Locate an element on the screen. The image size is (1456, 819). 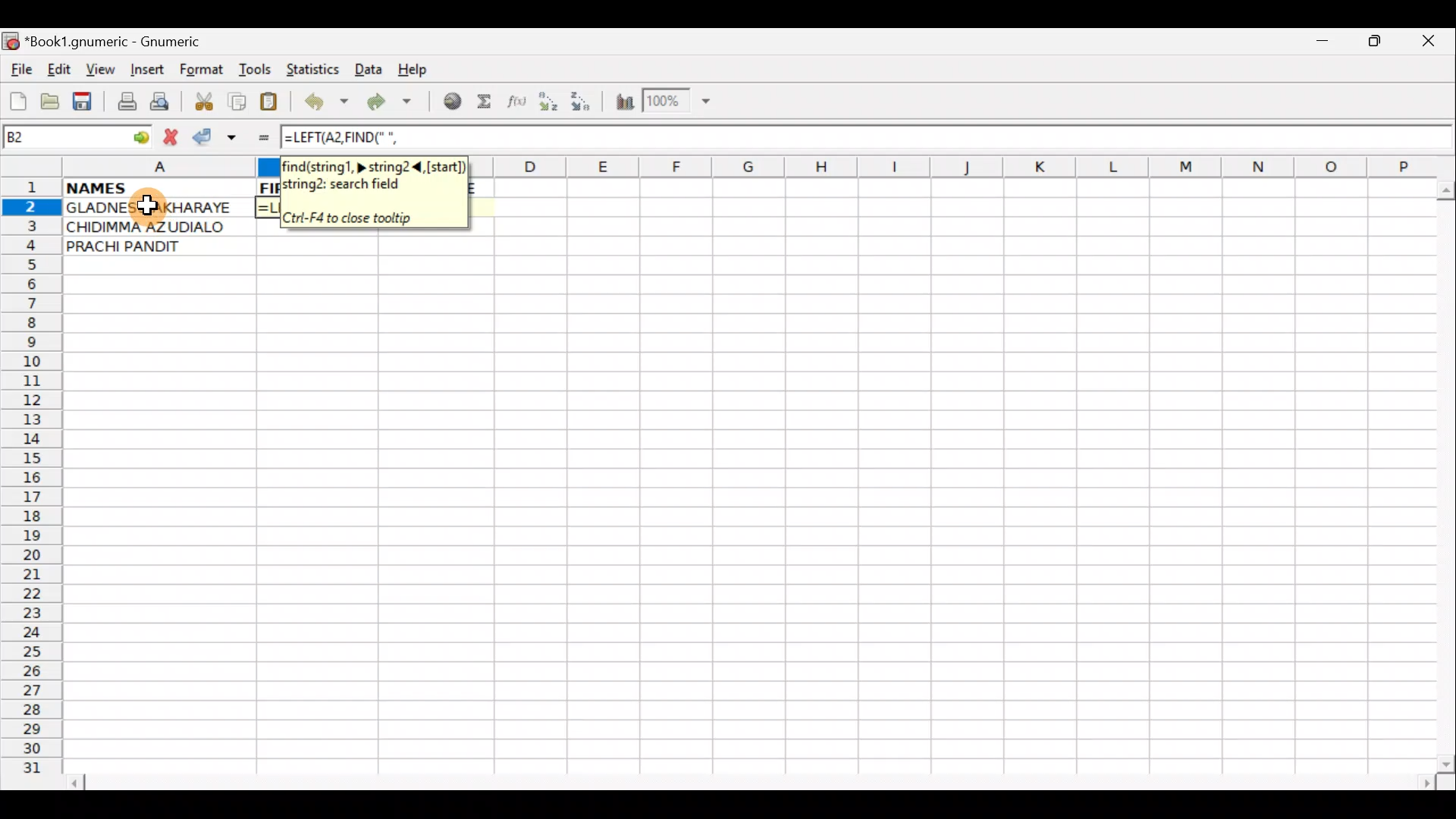
Close is located at coordinates (1432, 45).